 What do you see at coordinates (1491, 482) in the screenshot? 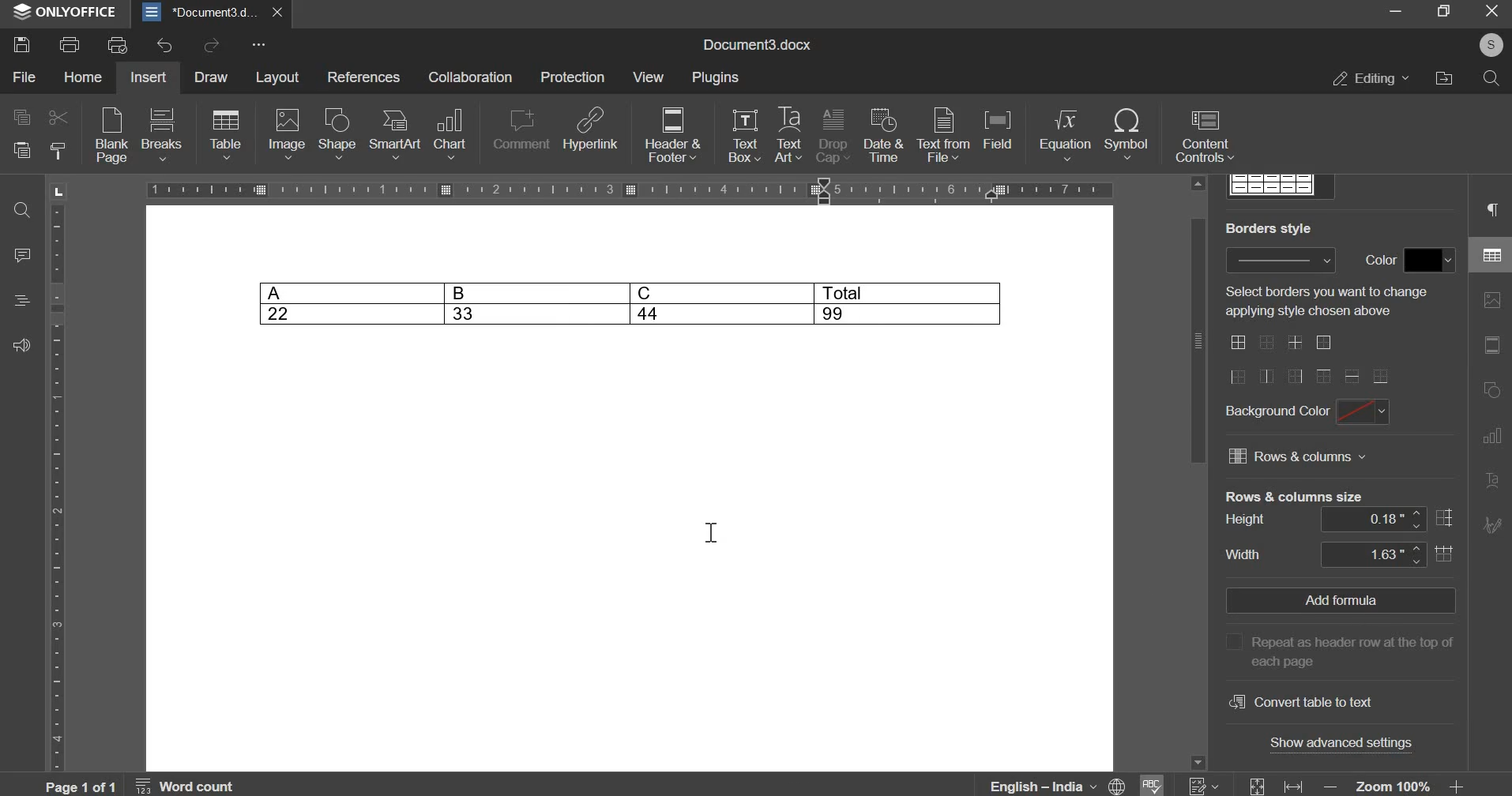
I see `text art settings` at bounding box center [1491, 482].